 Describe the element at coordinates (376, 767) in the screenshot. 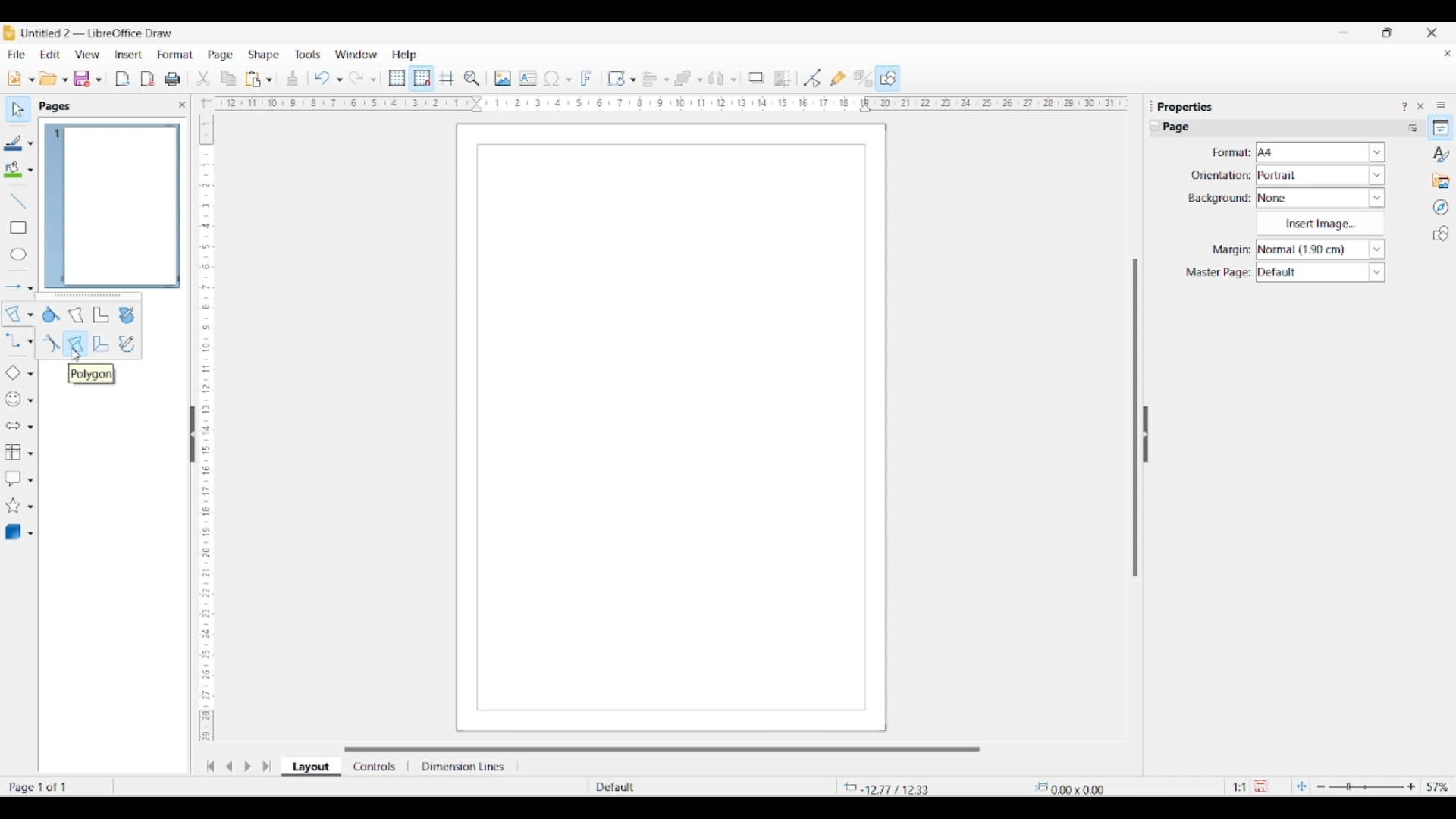

I see `Controls` at that location.